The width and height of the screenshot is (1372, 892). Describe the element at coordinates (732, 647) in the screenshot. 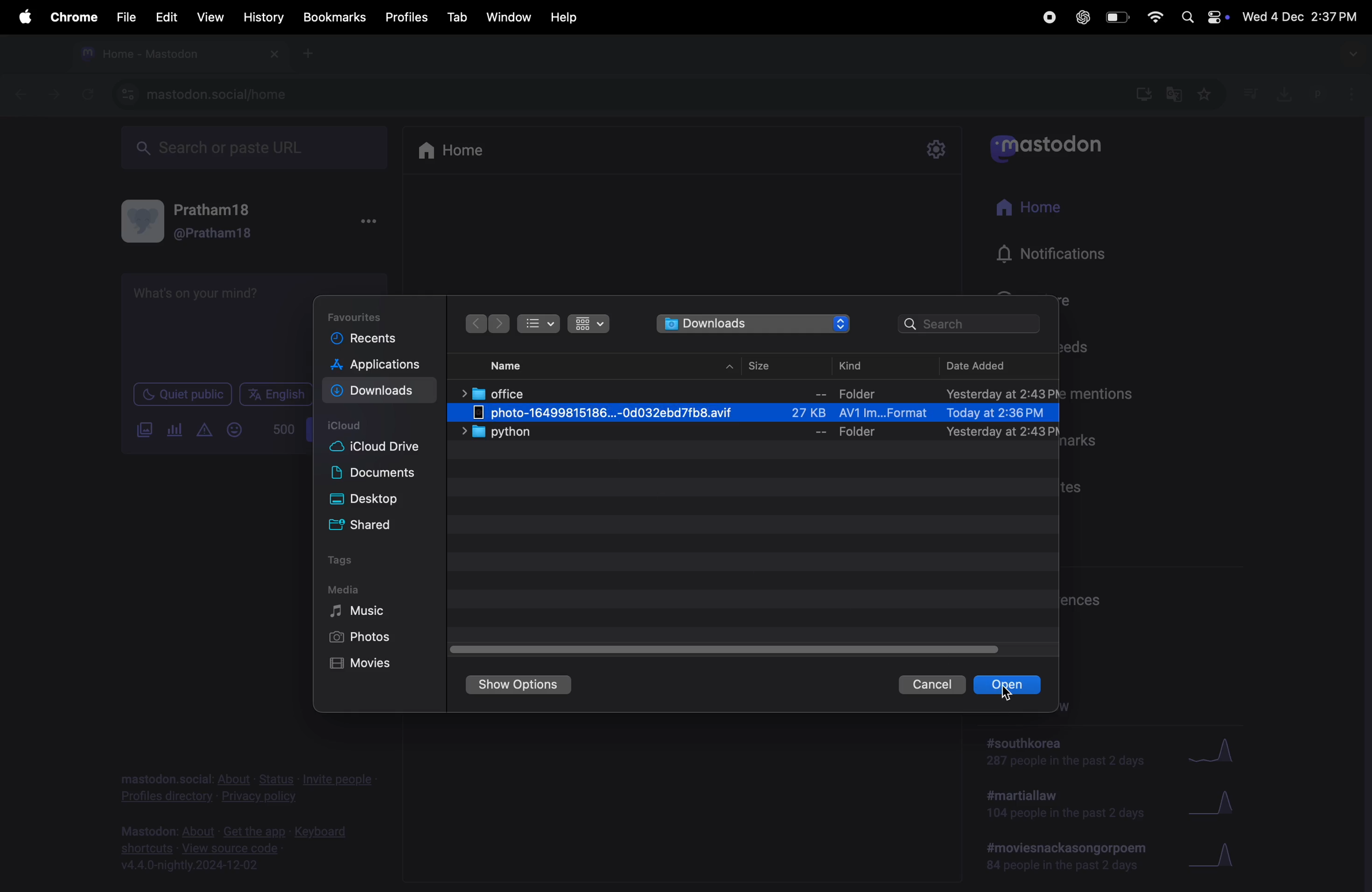

I see `toggle bar` at that location.